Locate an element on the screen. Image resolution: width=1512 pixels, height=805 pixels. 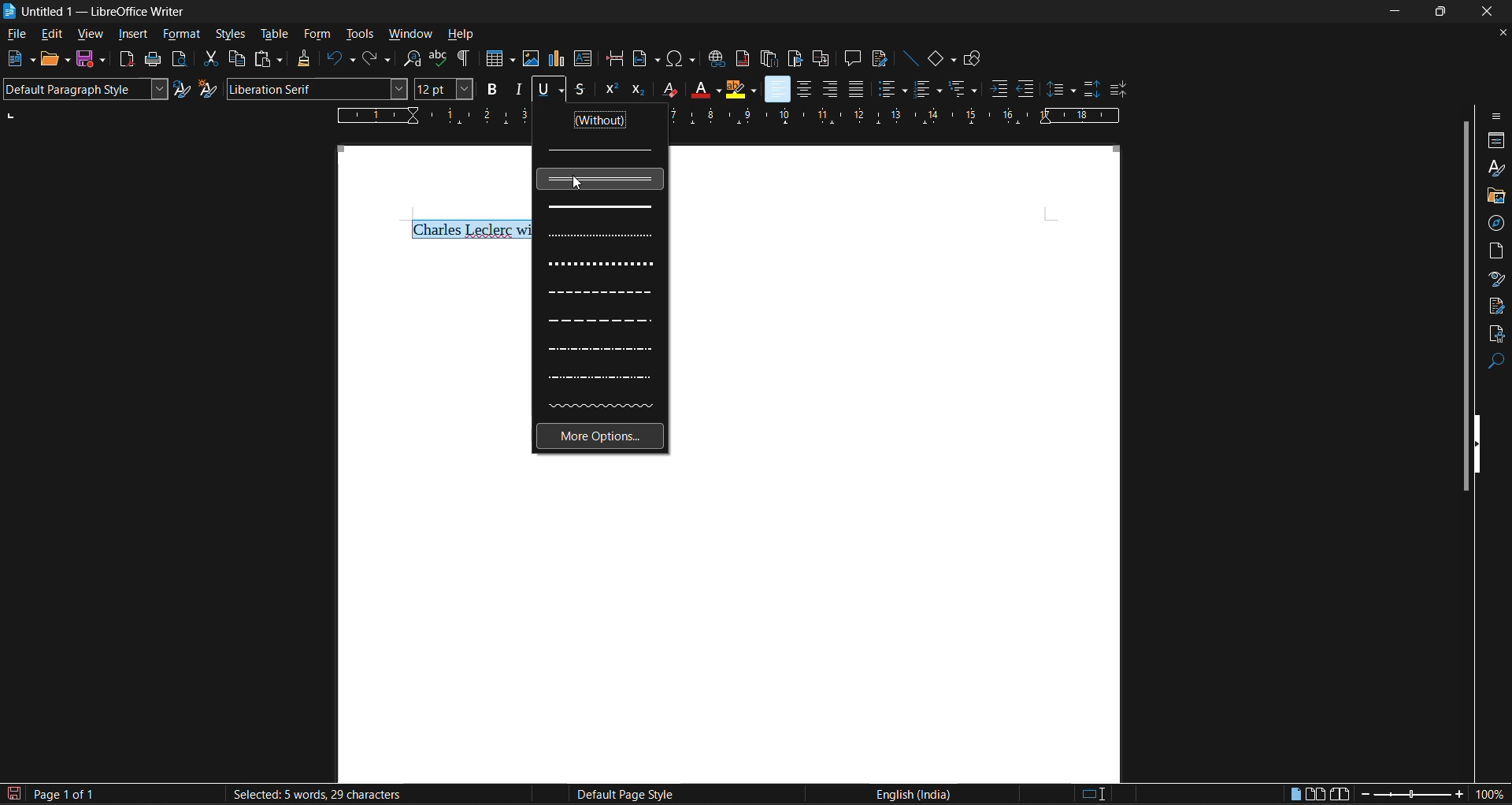
help is located at coordinates (461, 35).